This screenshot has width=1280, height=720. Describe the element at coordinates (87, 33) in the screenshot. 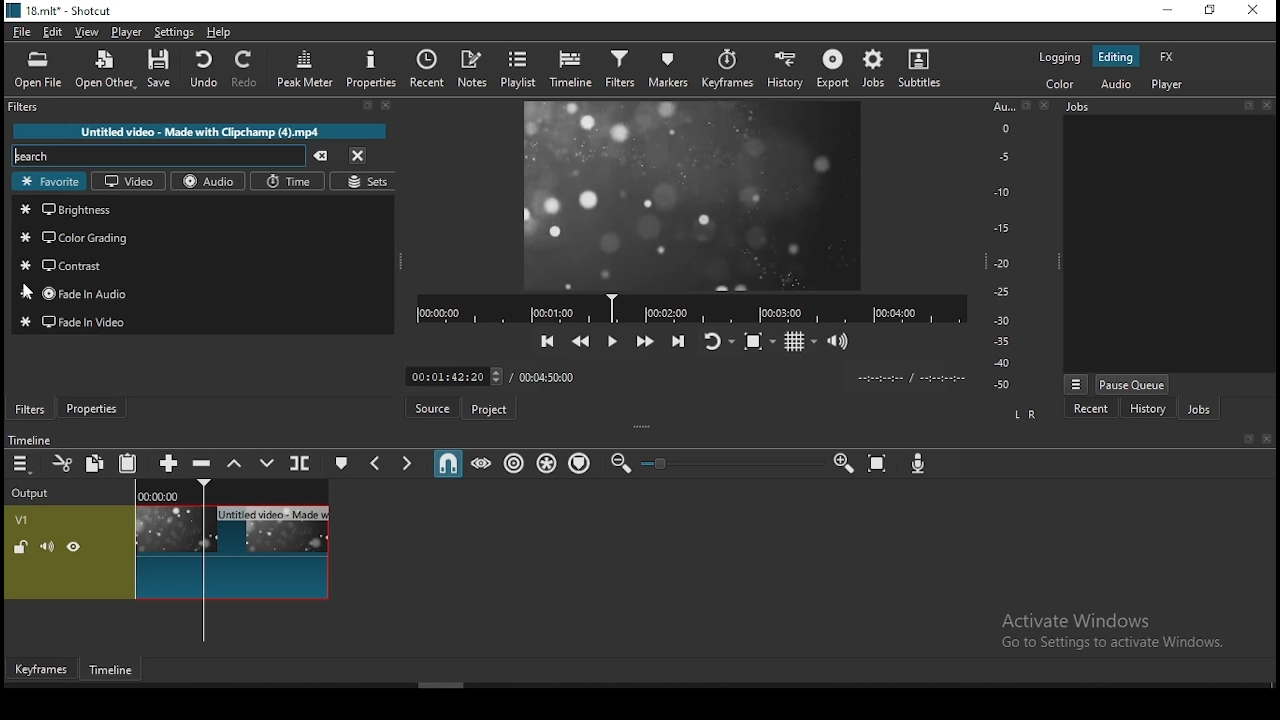

I see `view` at that location.